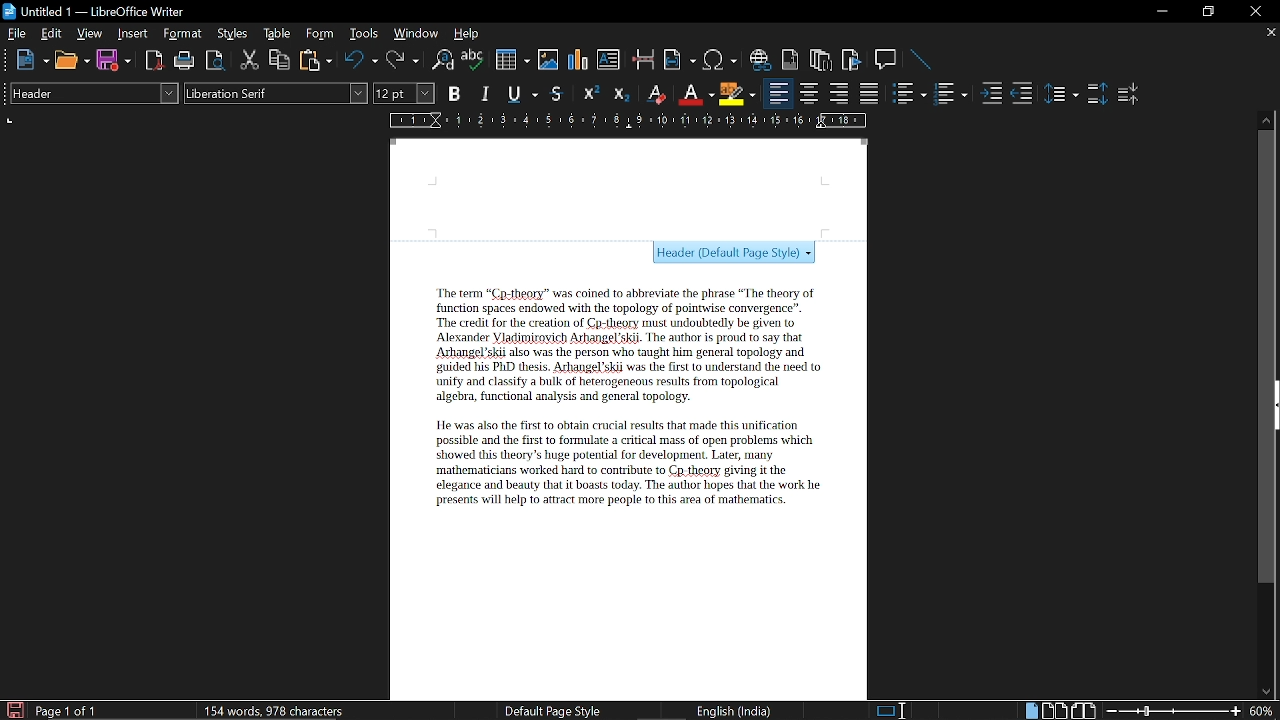 The height and width of the screenshot is (720, 1280). What do you see at coordinates (680, 61) in the screenshot?
I see `Insert field` at bounding box center [680, 61].